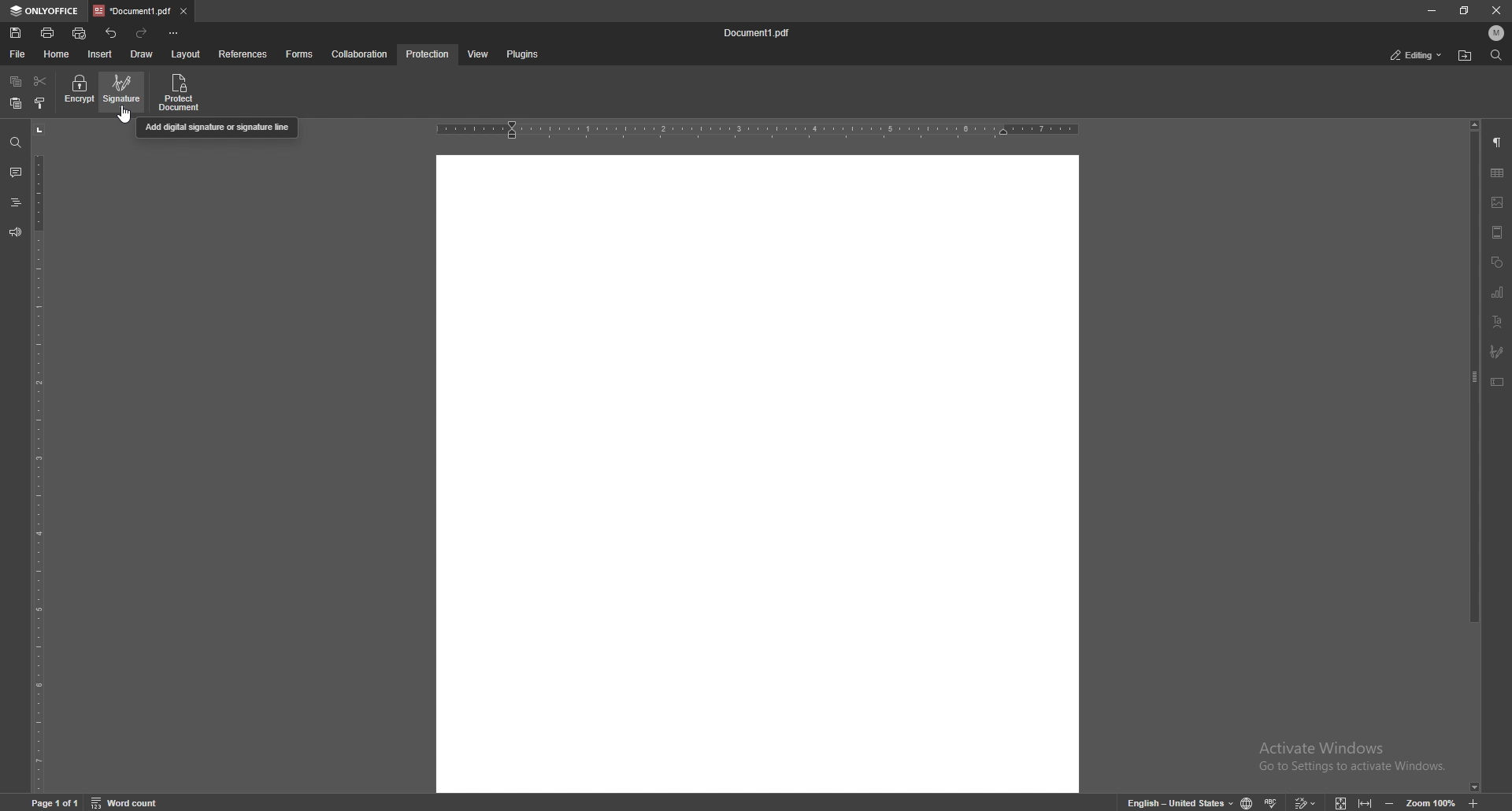 The image size is (1512, 811). Describe the element at coordinates (16, 82) in the screenshot. I see `copy` at that location.